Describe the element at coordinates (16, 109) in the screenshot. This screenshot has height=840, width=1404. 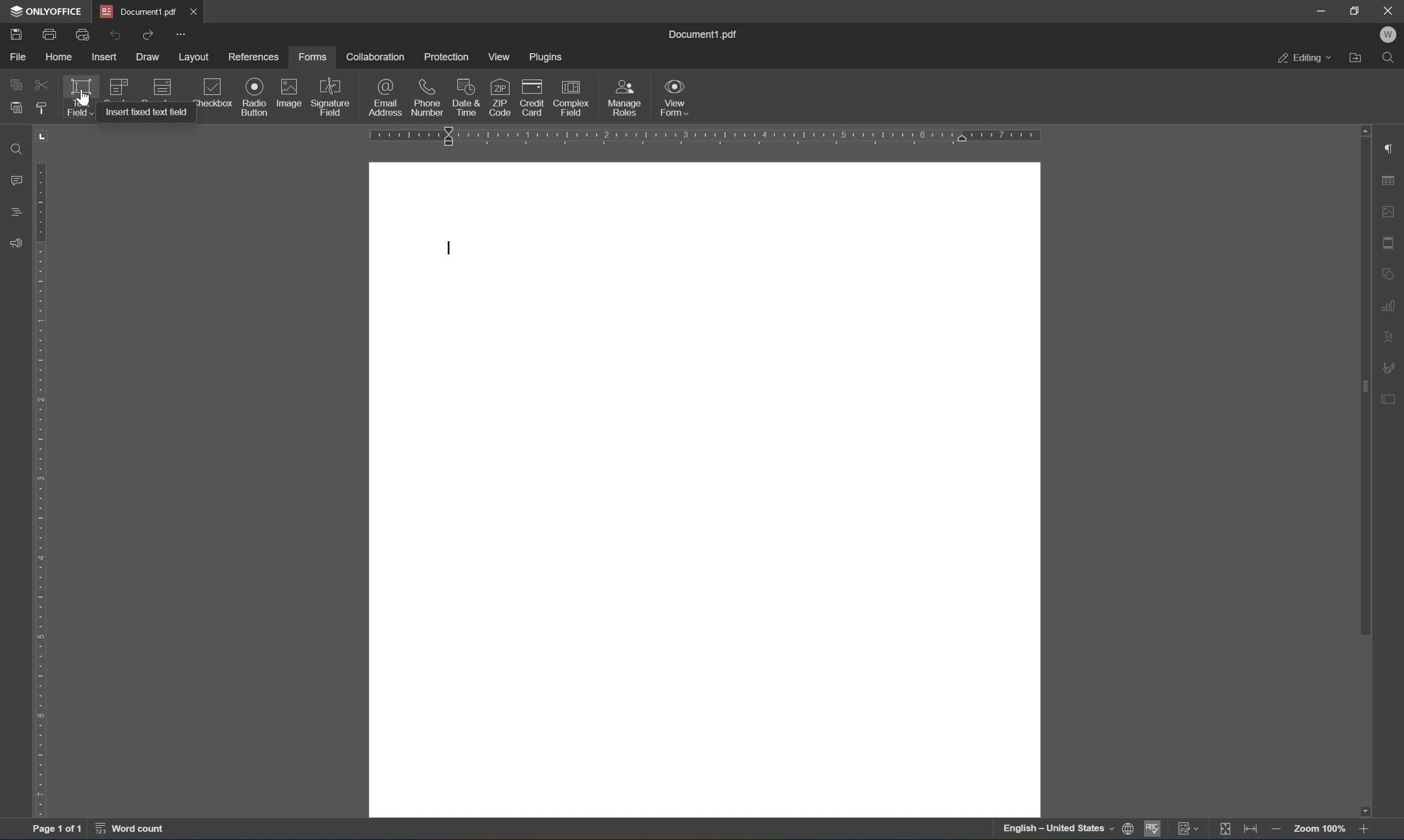
I see `paste` at that location.